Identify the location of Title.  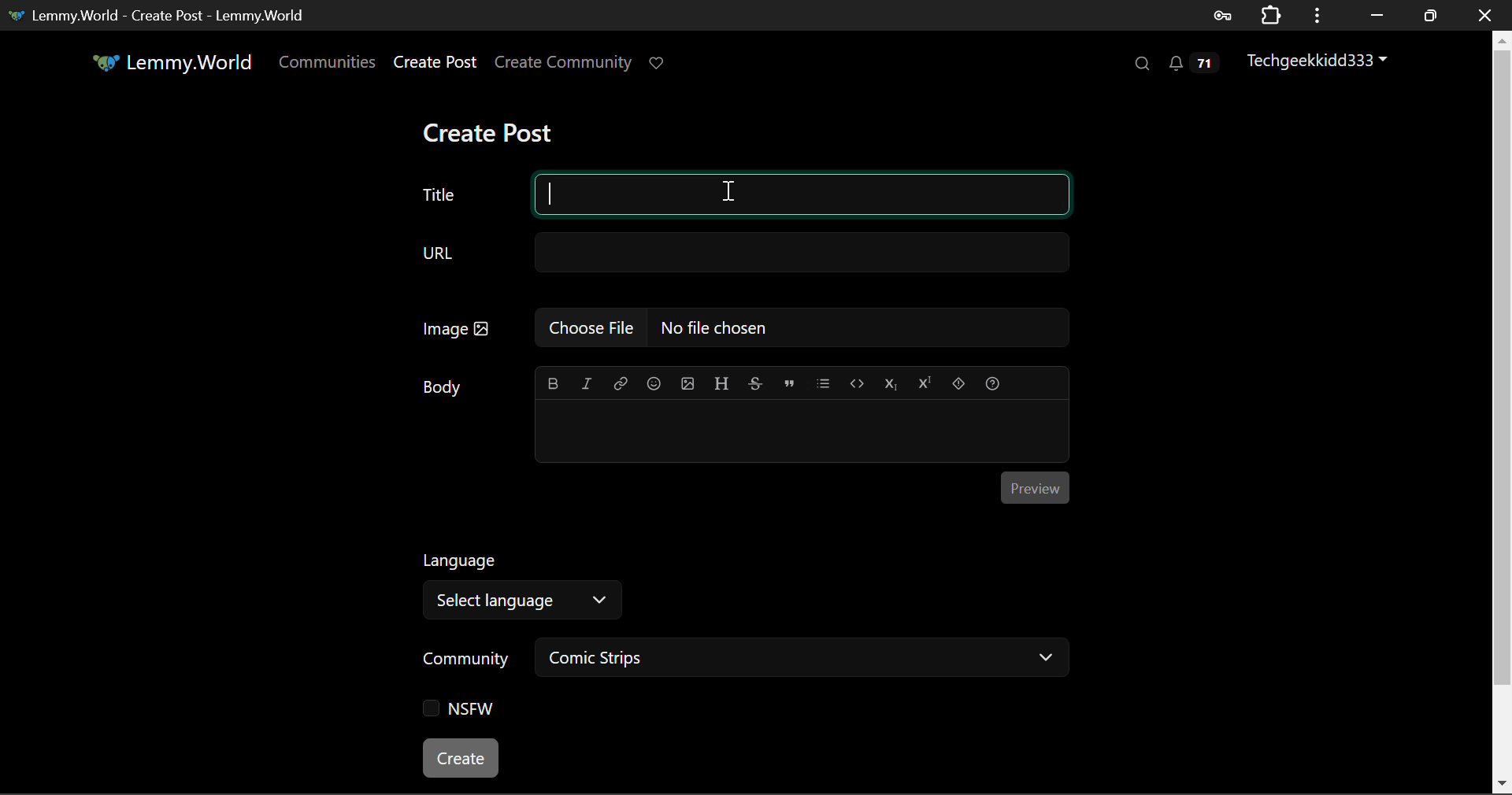
(742, 197).